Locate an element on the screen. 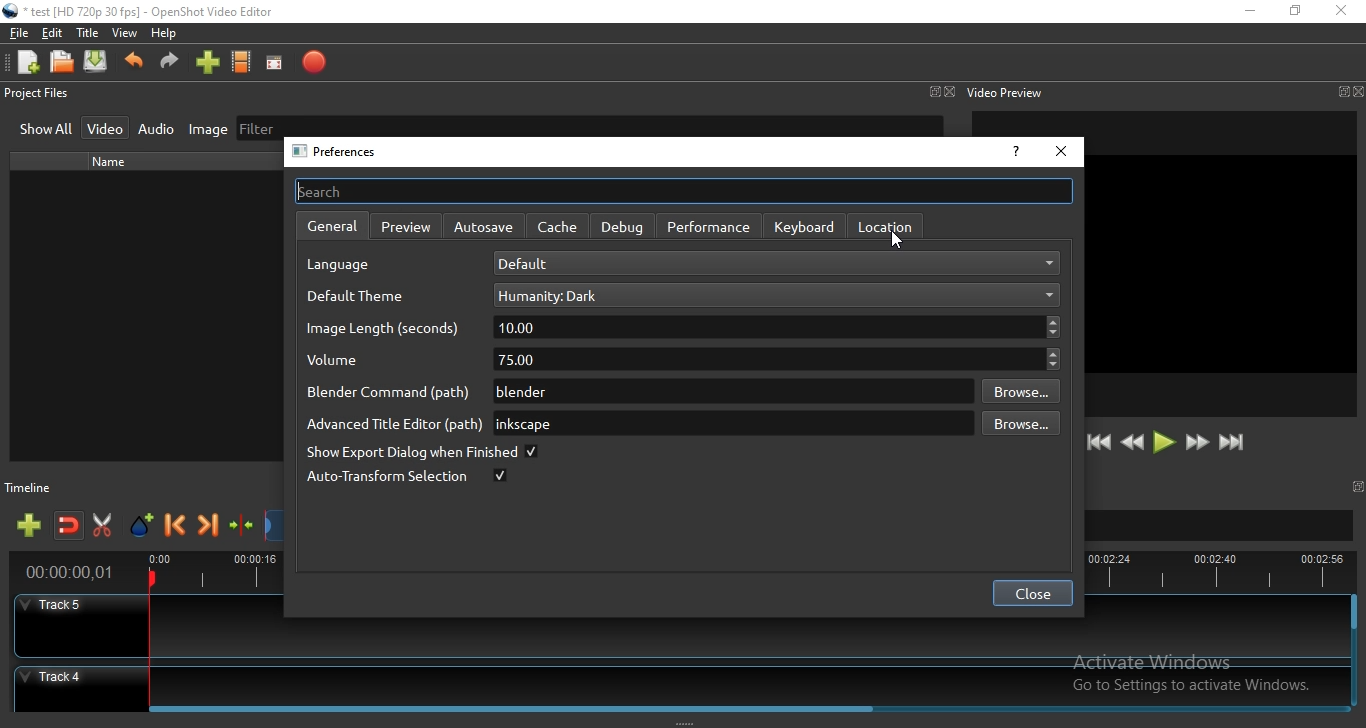 The width and height of the screenshot is (1366, 728). Fast forward is located at coordinates (1197, 444).